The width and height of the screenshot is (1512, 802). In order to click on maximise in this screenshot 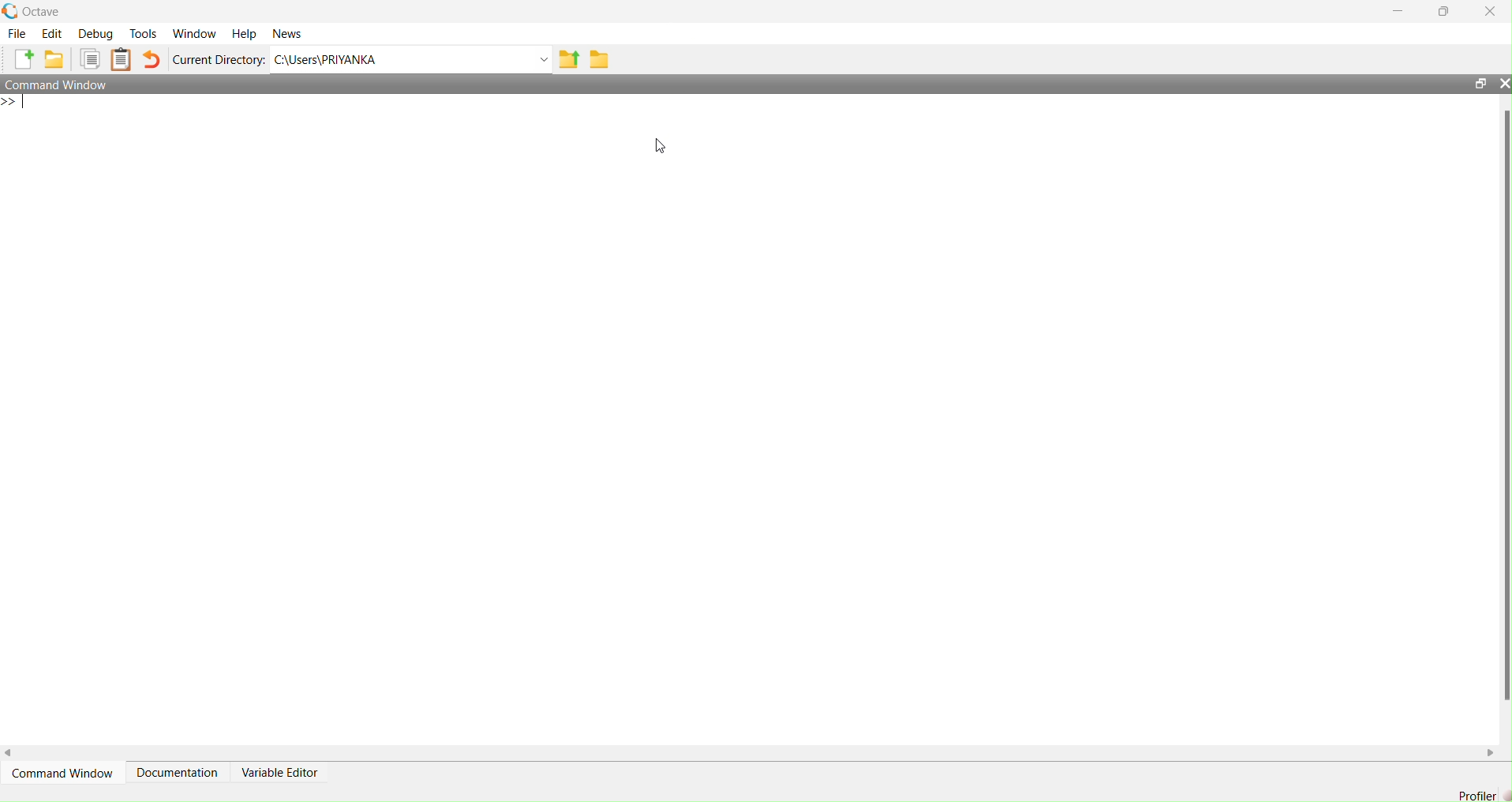, I will do `click(1450, 13)`.